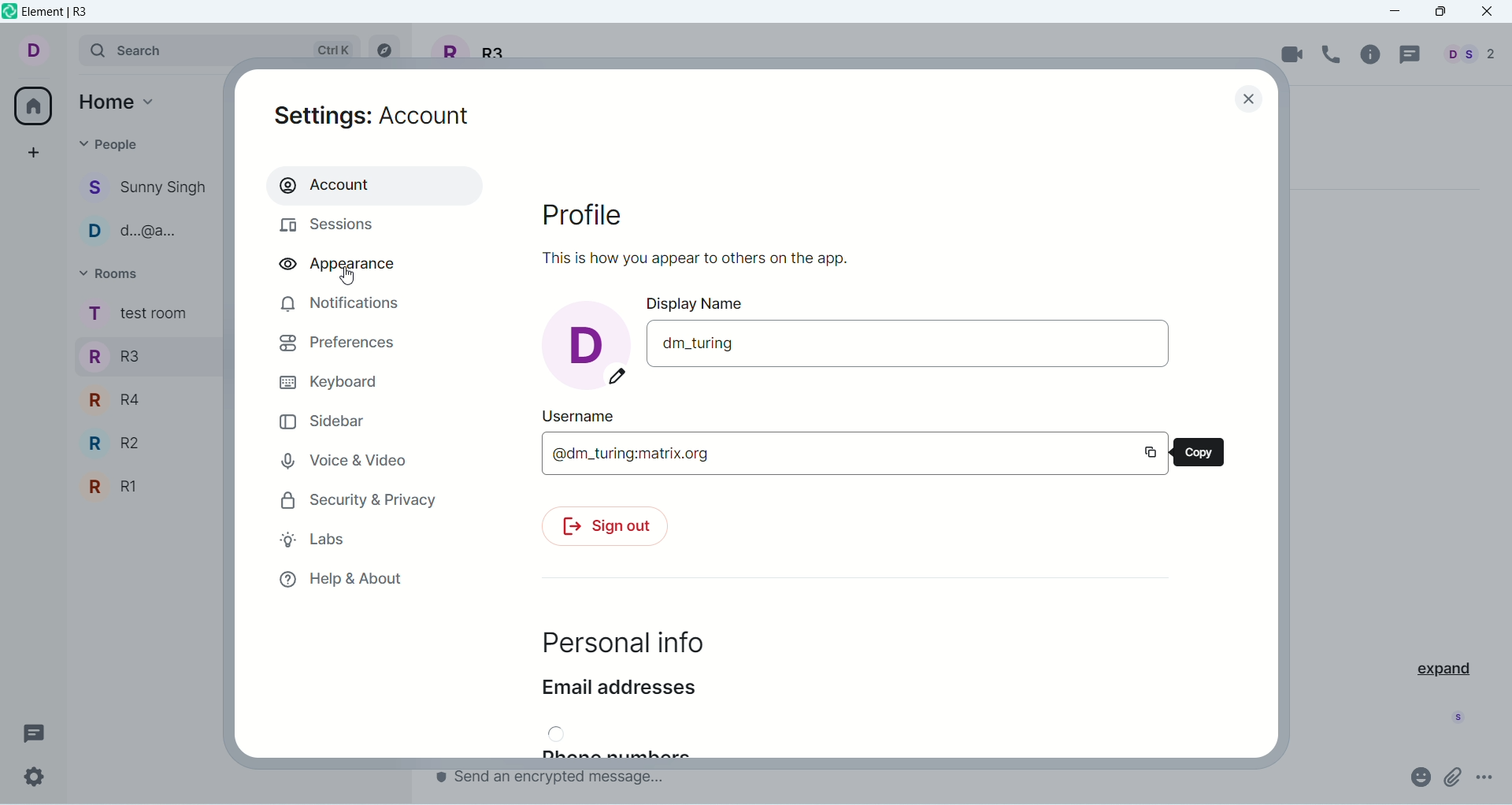  I want to click on settings, so click(35, 777).